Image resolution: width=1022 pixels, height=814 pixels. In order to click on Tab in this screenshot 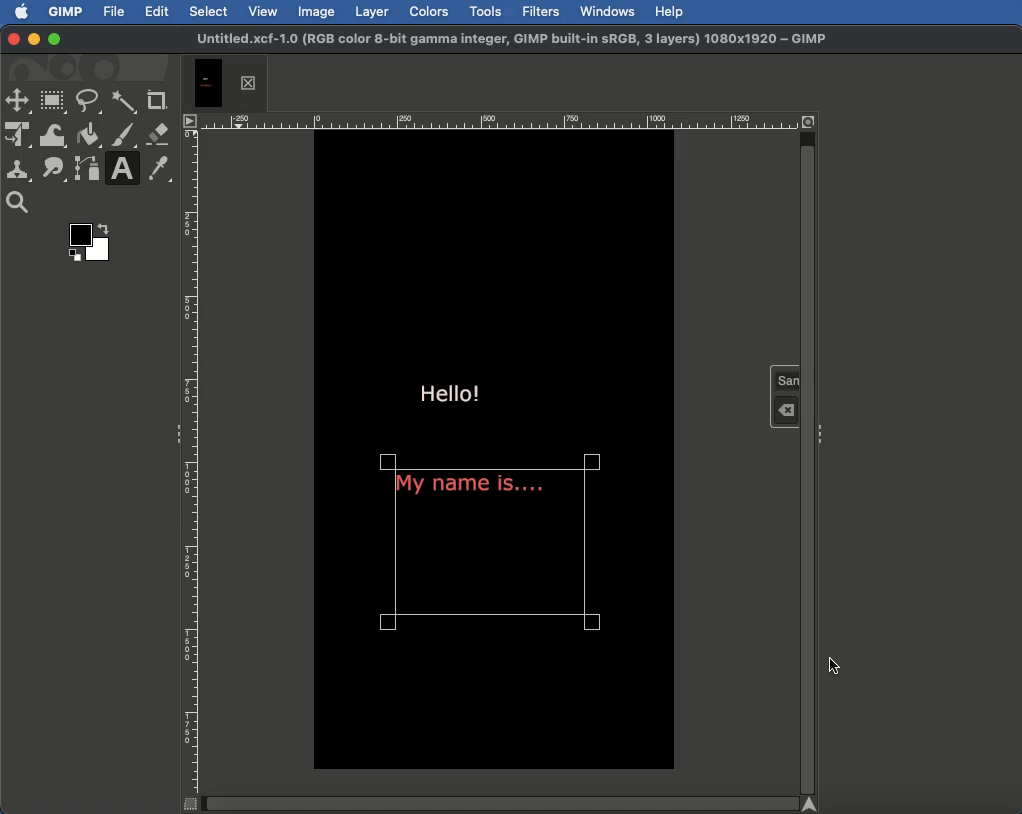, I will do `click(228, 80)`.